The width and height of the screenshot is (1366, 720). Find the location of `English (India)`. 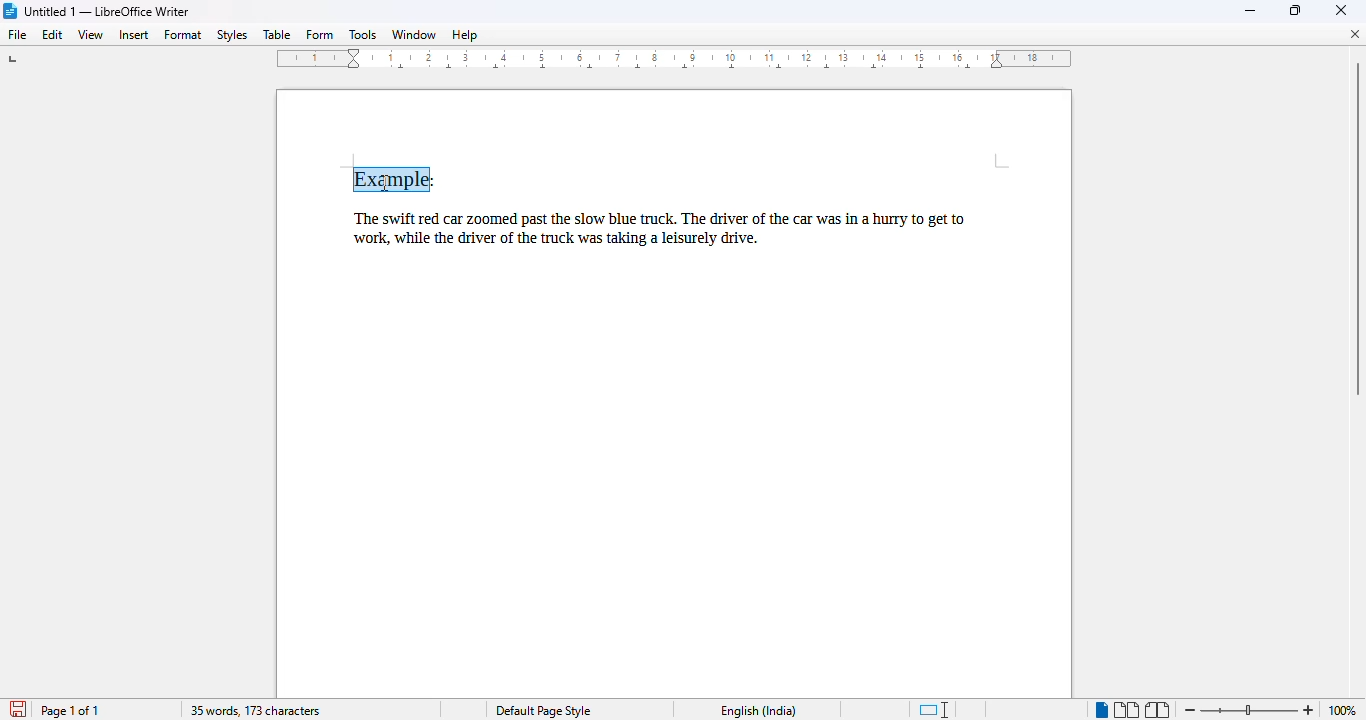

English (India) is located at coordinates (759, 711).